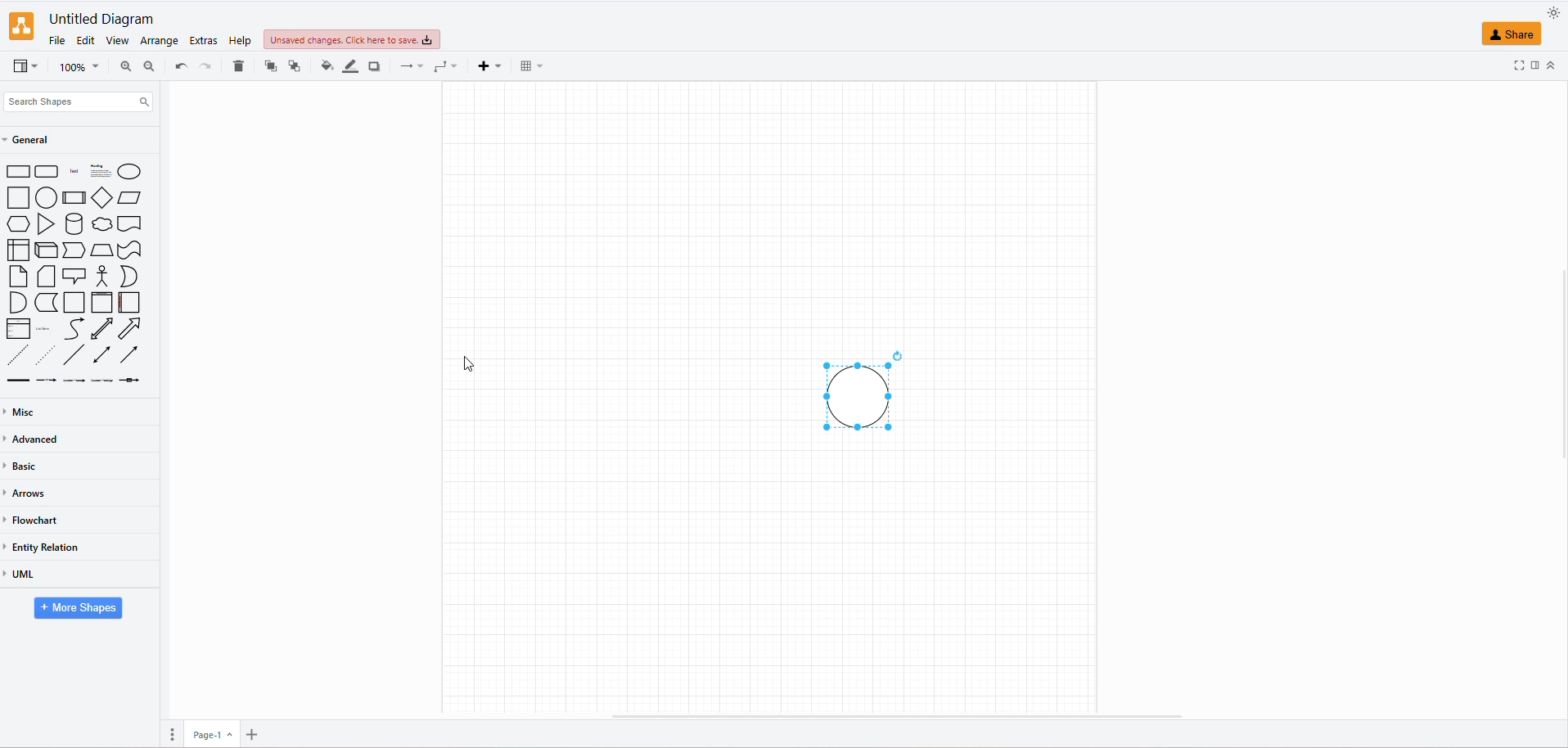 This screenshot has width=1568, height=748. I want to click on arrow with fields, so click(133, 382).